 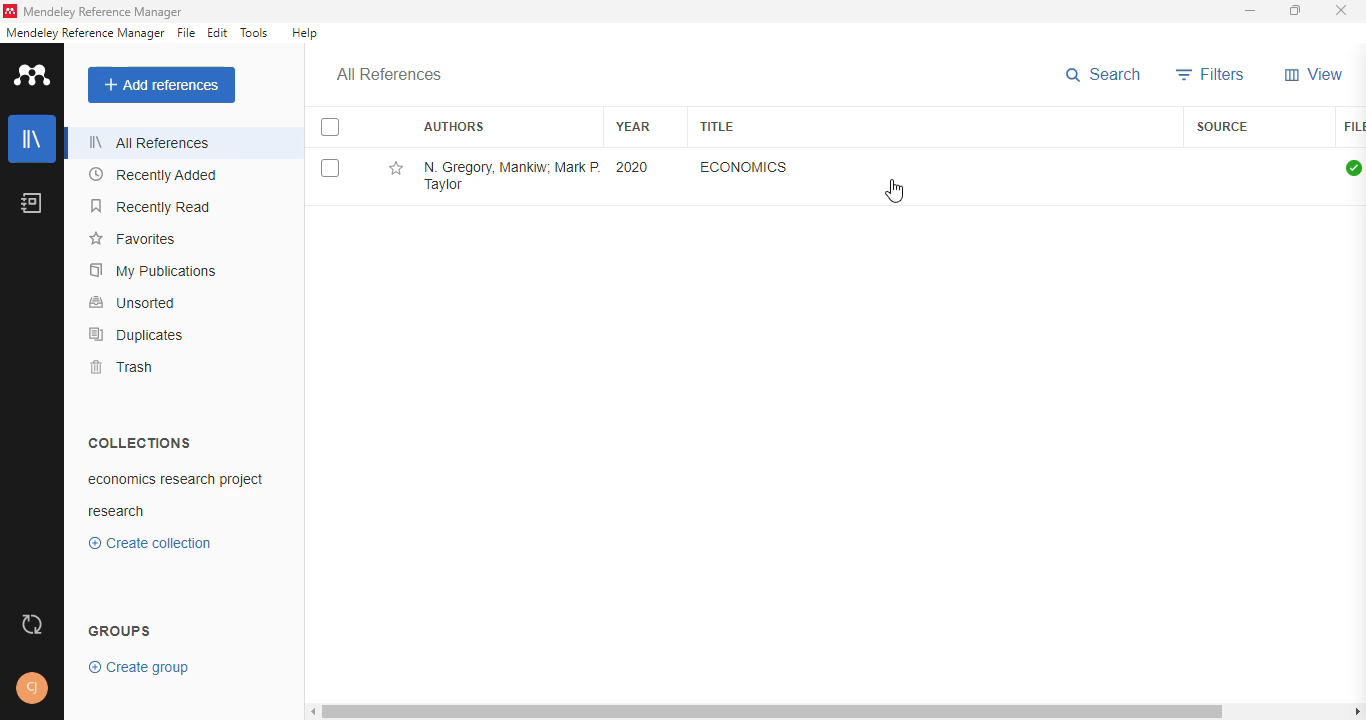 I want to click on favorites, so click(x=135, y=238).